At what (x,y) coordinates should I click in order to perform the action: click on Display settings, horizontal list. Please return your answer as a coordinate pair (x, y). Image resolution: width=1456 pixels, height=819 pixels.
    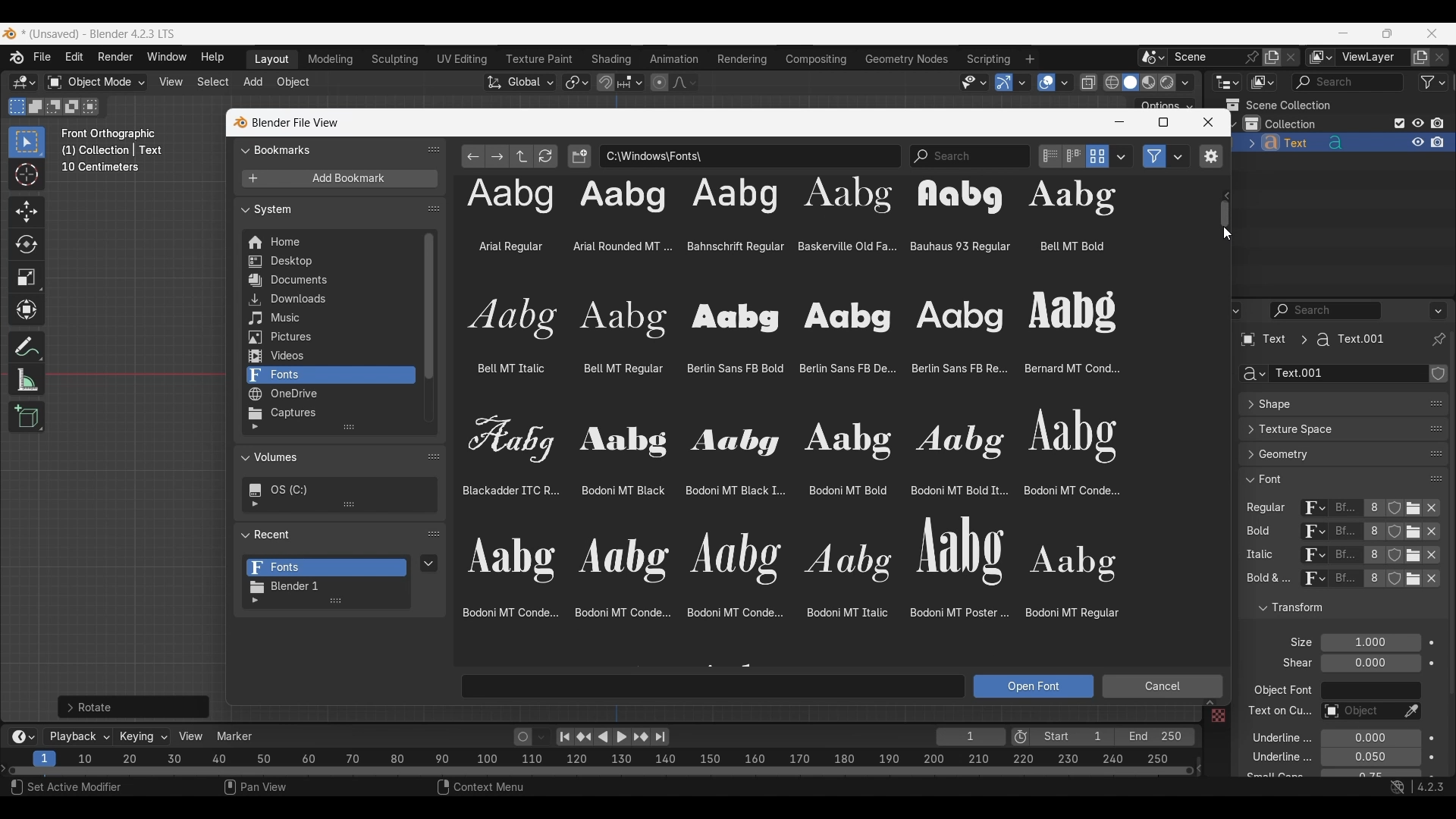
    Looking at the image, I should click on (1074, 156).